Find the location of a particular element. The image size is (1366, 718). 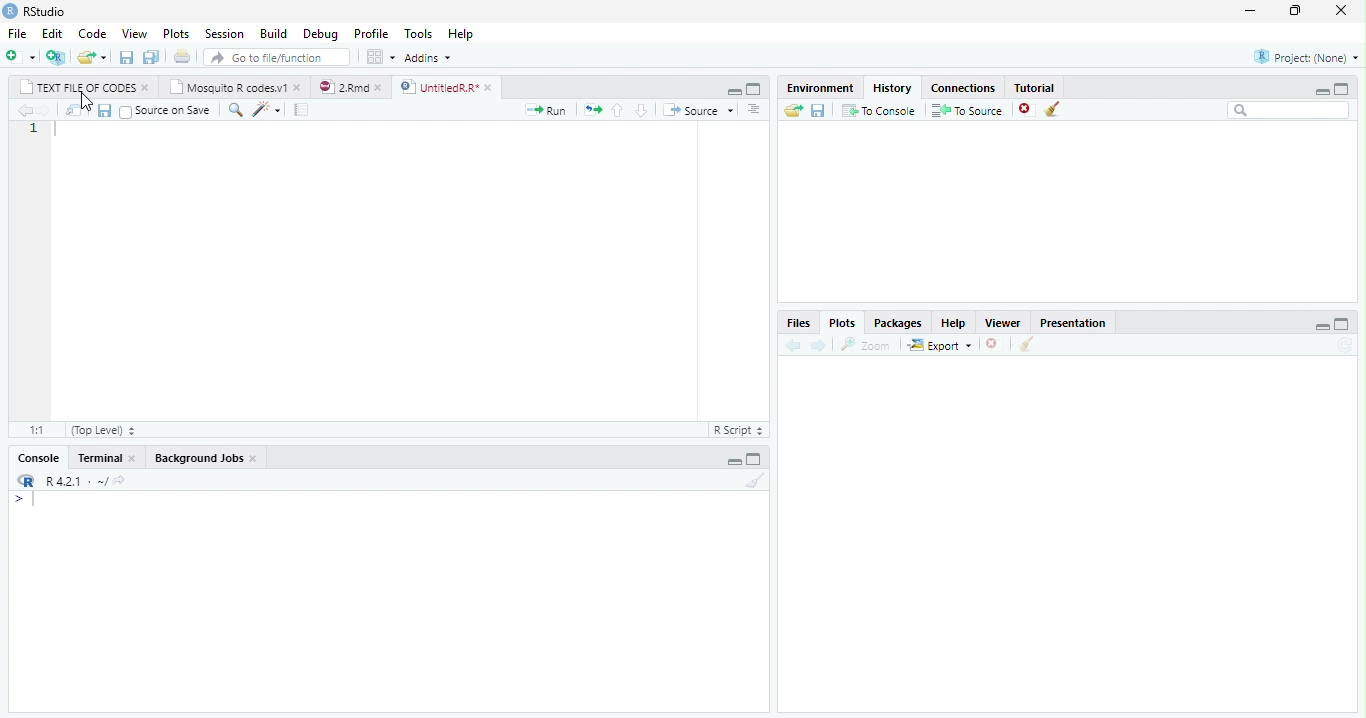

close is located at coordinates (133, 457).